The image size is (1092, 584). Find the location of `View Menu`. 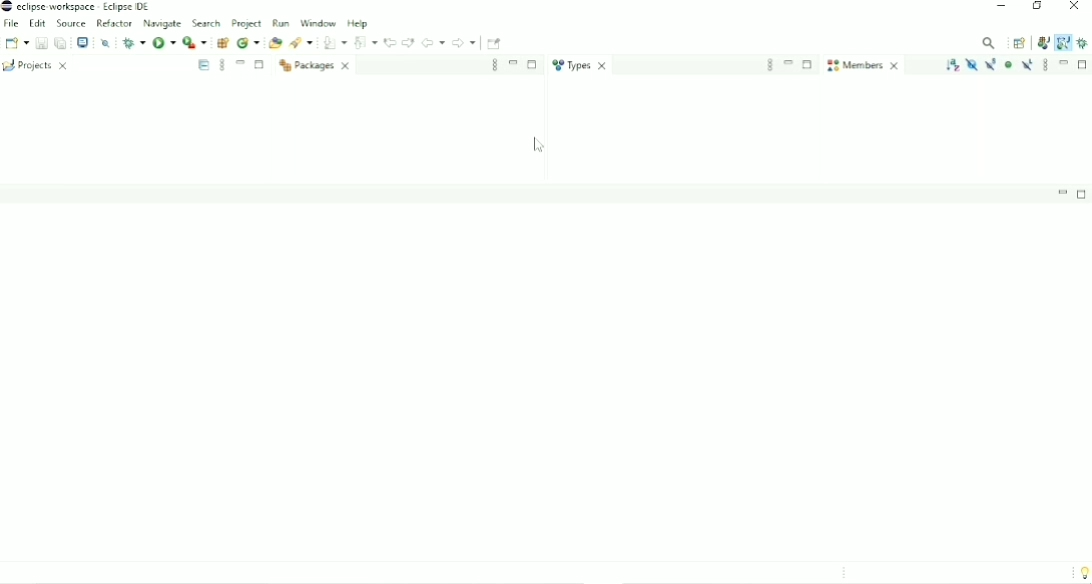

View Menu is located at coordinates (1046, 65).